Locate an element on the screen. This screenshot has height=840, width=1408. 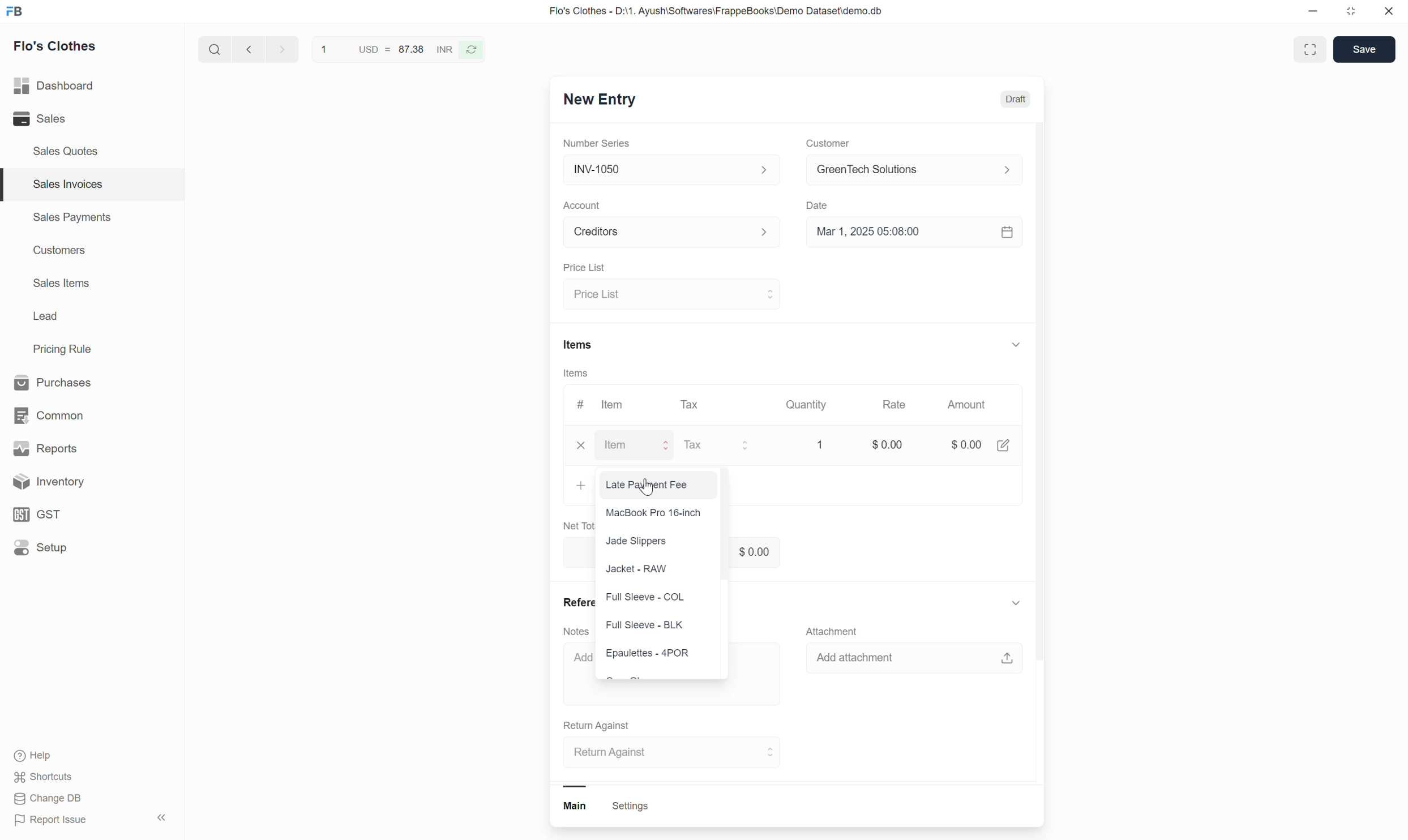
Sales  is located at coordinates (64, 119).